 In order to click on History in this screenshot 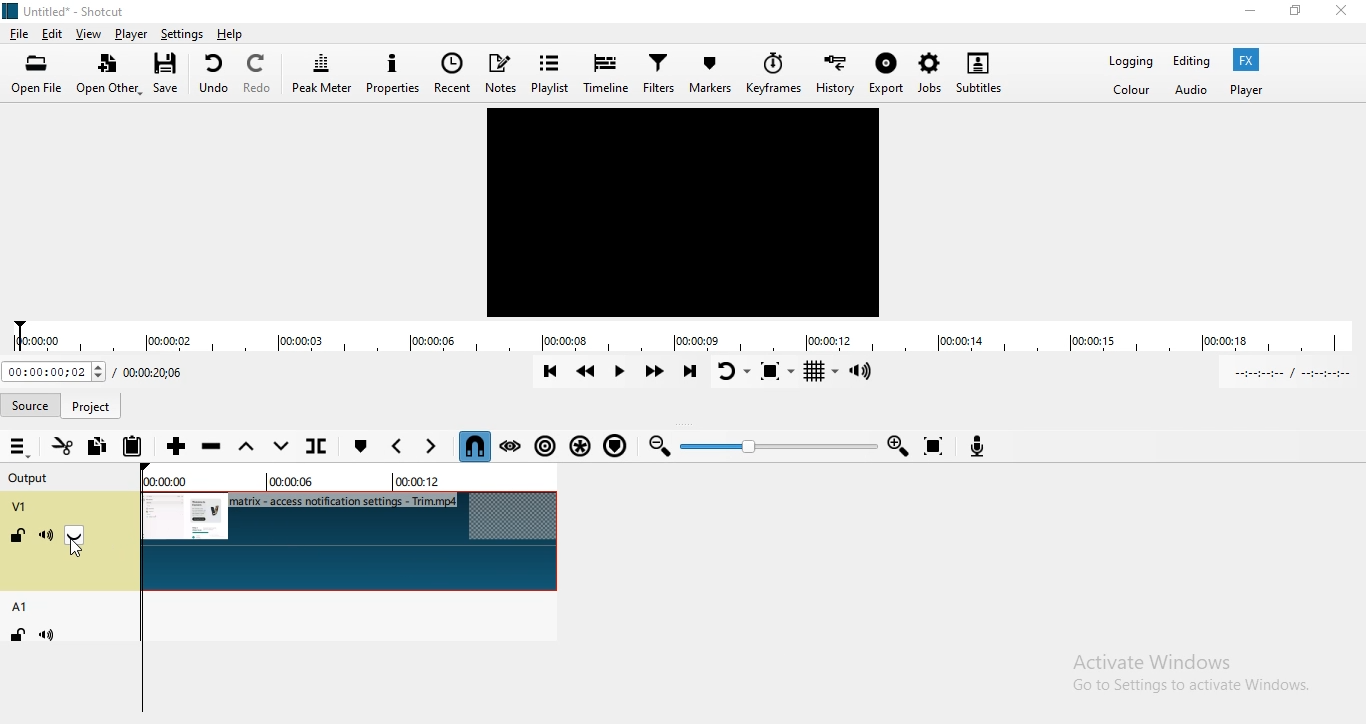, I will do `click(835, 72)`.